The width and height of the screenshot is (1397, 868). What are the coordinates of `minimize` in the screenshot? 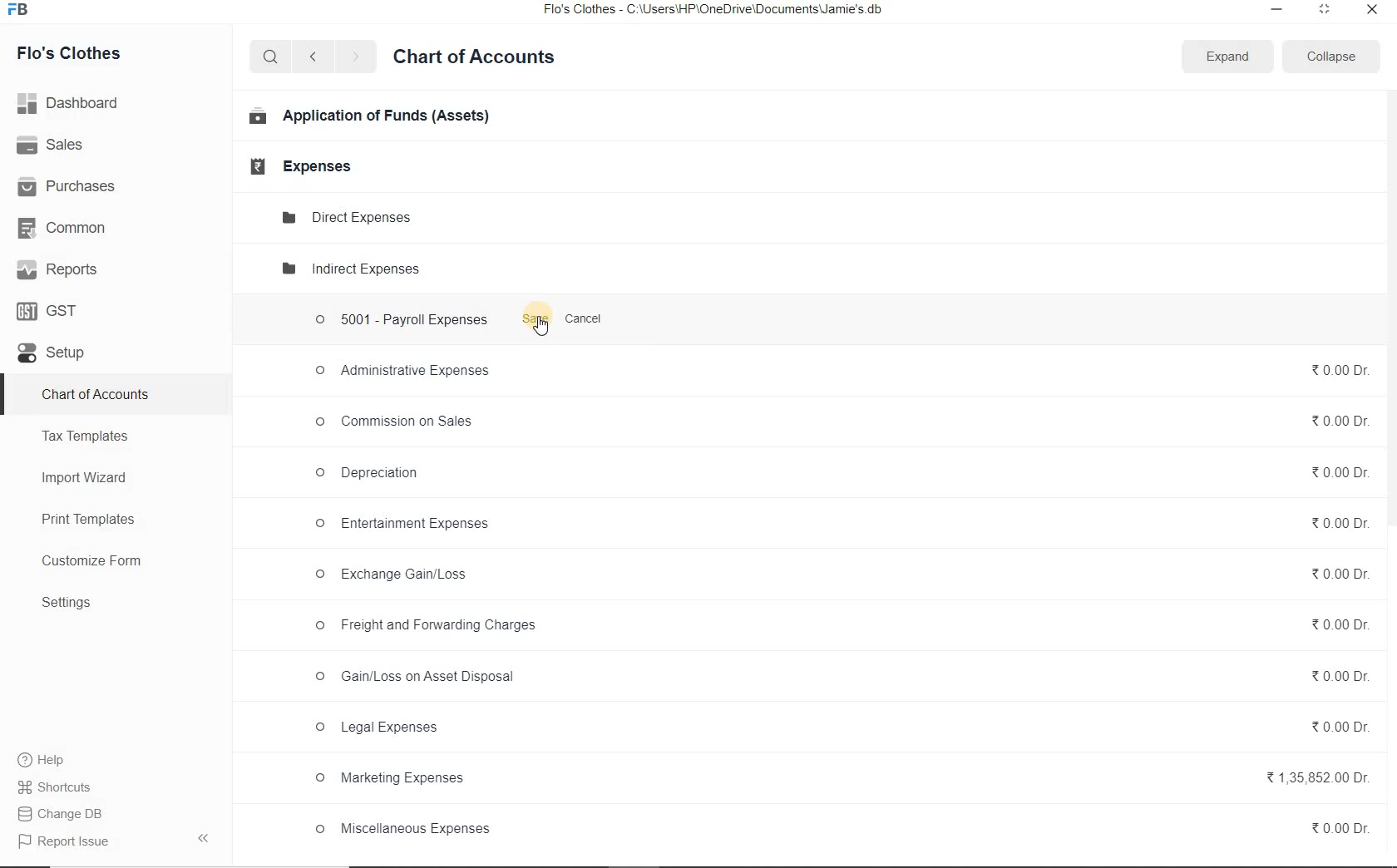 It's located at (1277, 11).